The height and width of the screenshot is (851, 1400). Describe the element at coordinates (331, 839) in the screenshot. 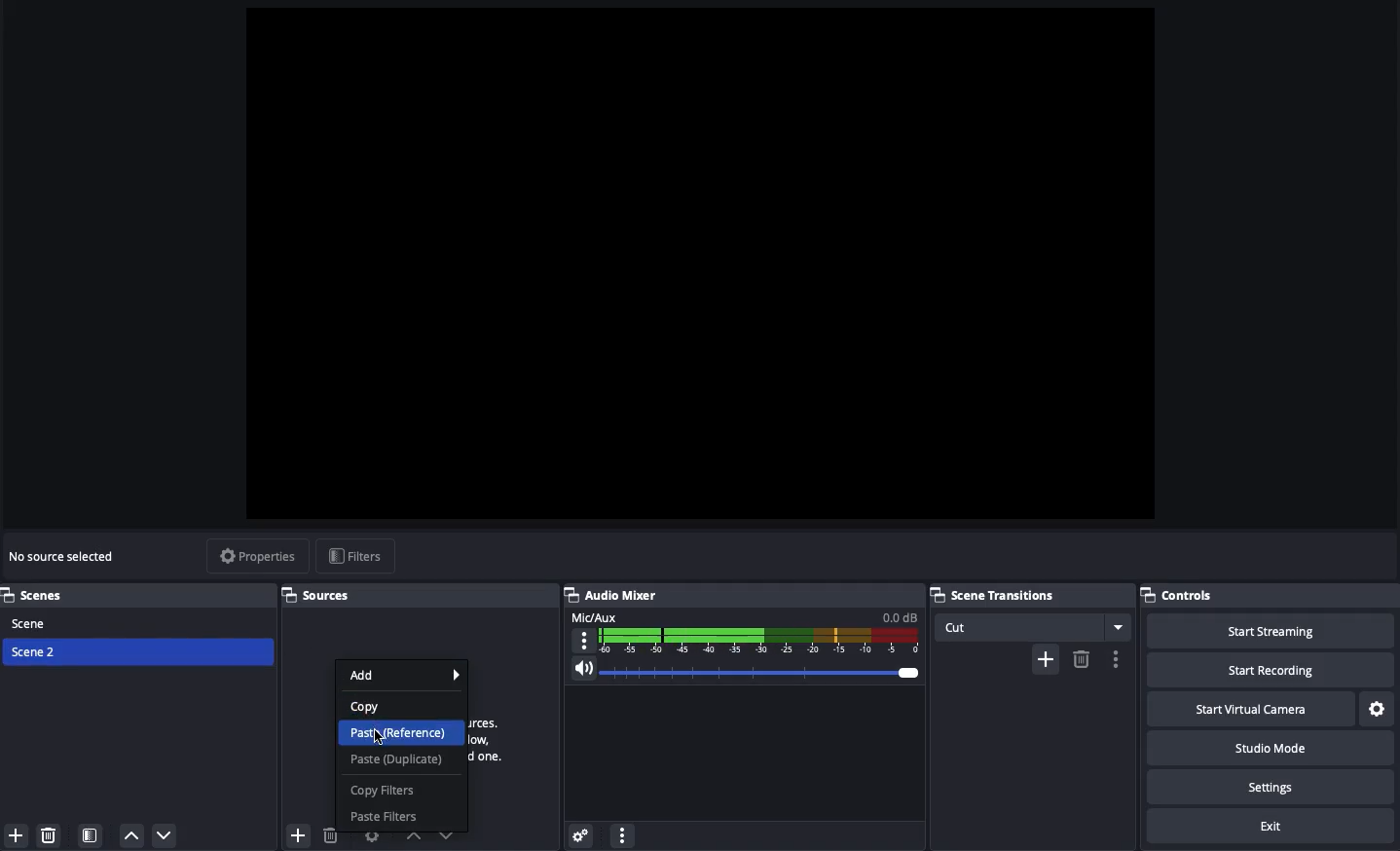

I see `delete` at that location.